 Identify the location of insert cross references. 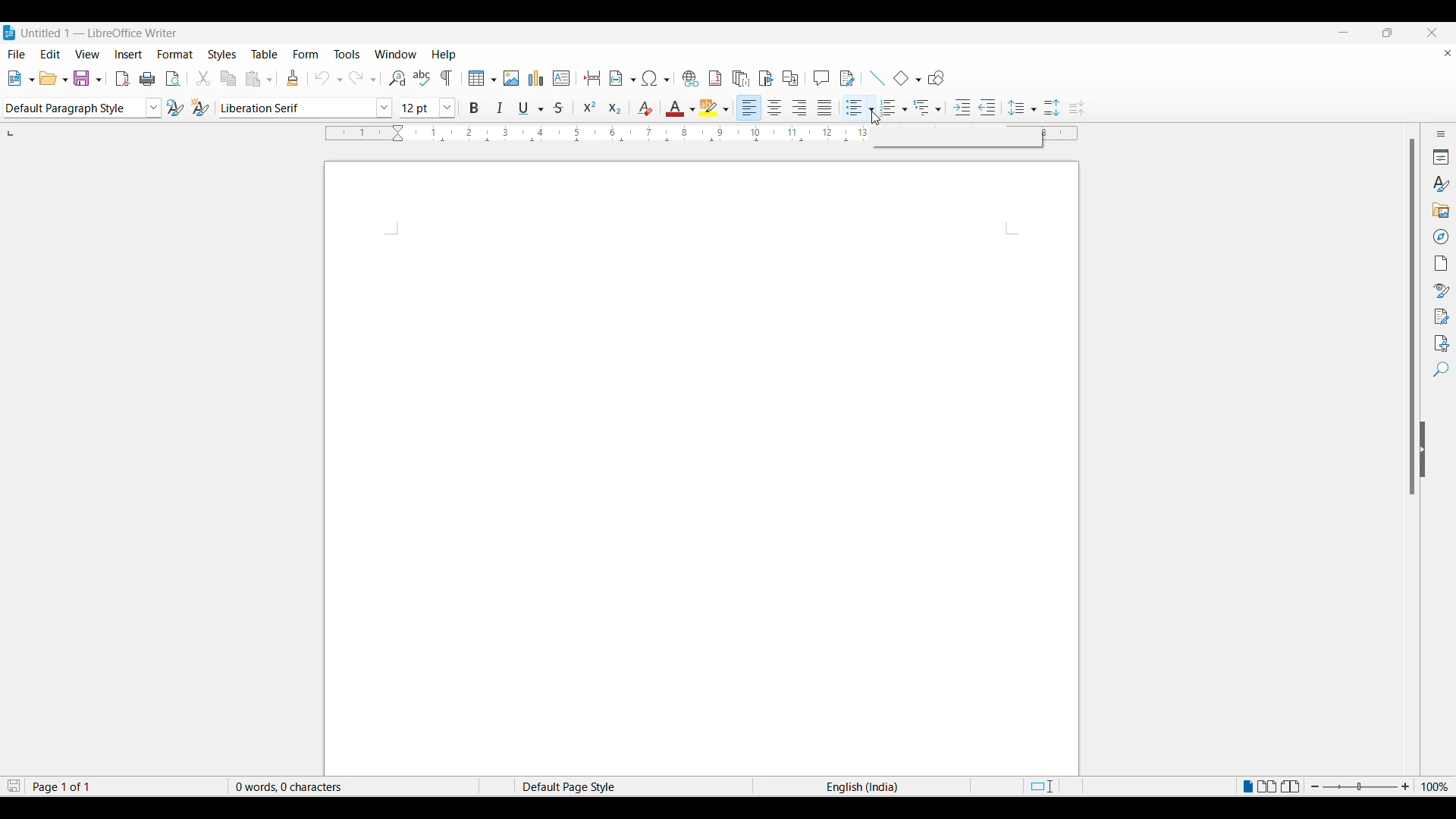
(793, 79).